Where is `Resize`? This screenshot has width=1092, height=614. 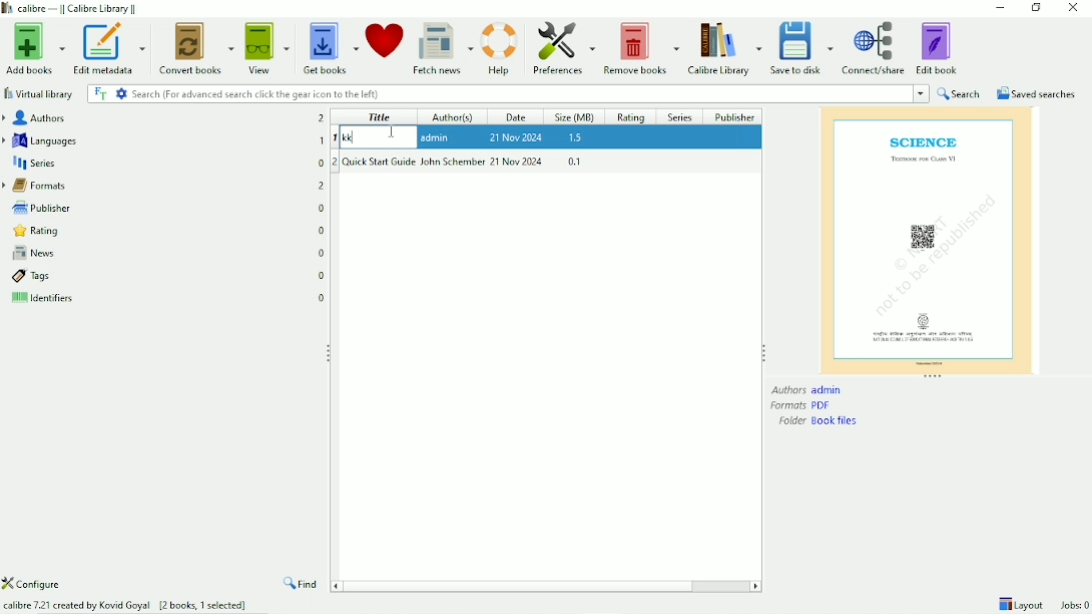
Resize is located at coordinates (764, 352).